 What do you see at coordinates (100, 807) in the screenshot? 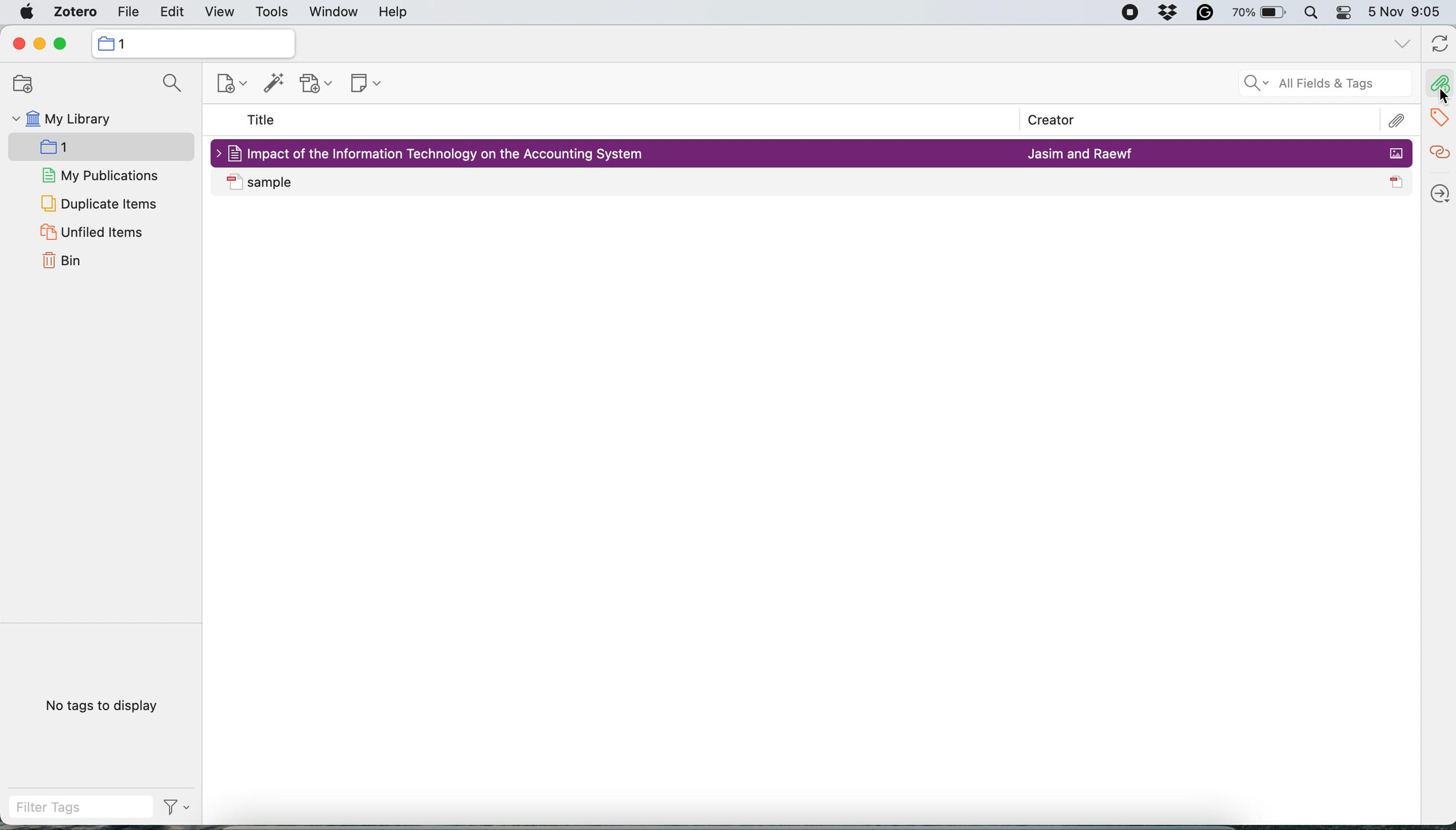
I see `filter tags` at bounding box center [100, 807].